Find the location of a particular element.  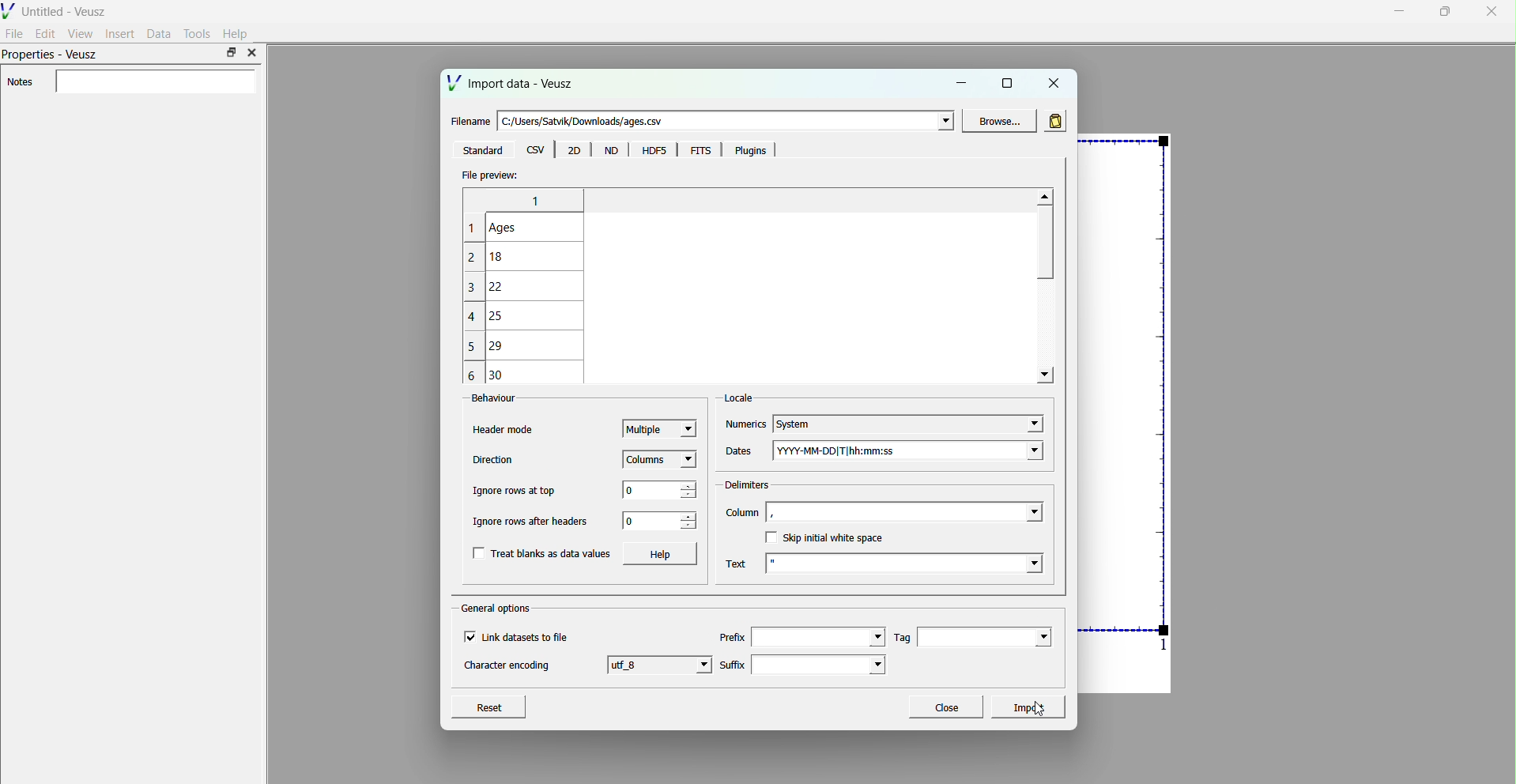

Data is located at coordinates (159, 33).